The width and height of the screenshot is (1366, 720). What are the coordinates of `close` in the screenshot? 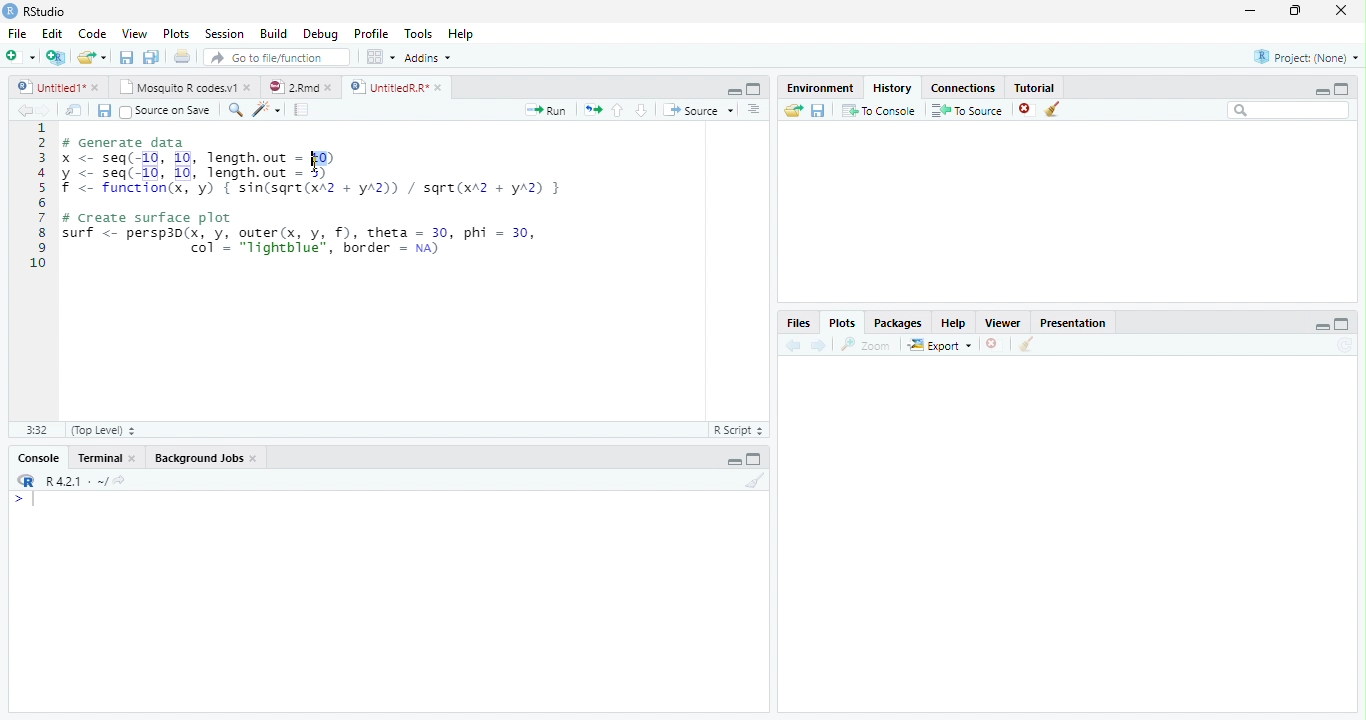 It's located at (1341, 10).